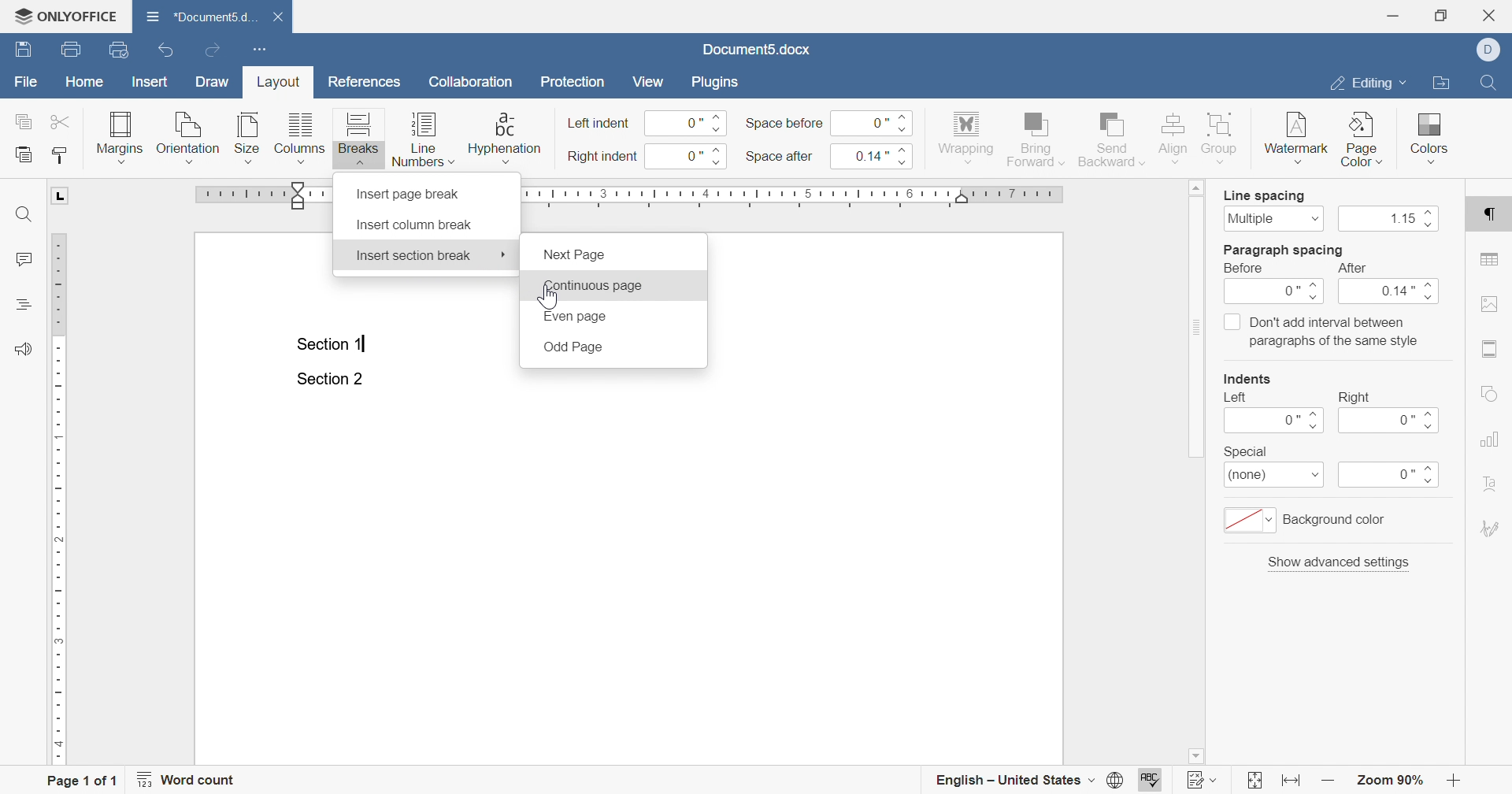 The height and width of the screenshot is (794, 1512). Describe the element at coordinates (779, 155) in the screenshot. I see `space after` at that location.